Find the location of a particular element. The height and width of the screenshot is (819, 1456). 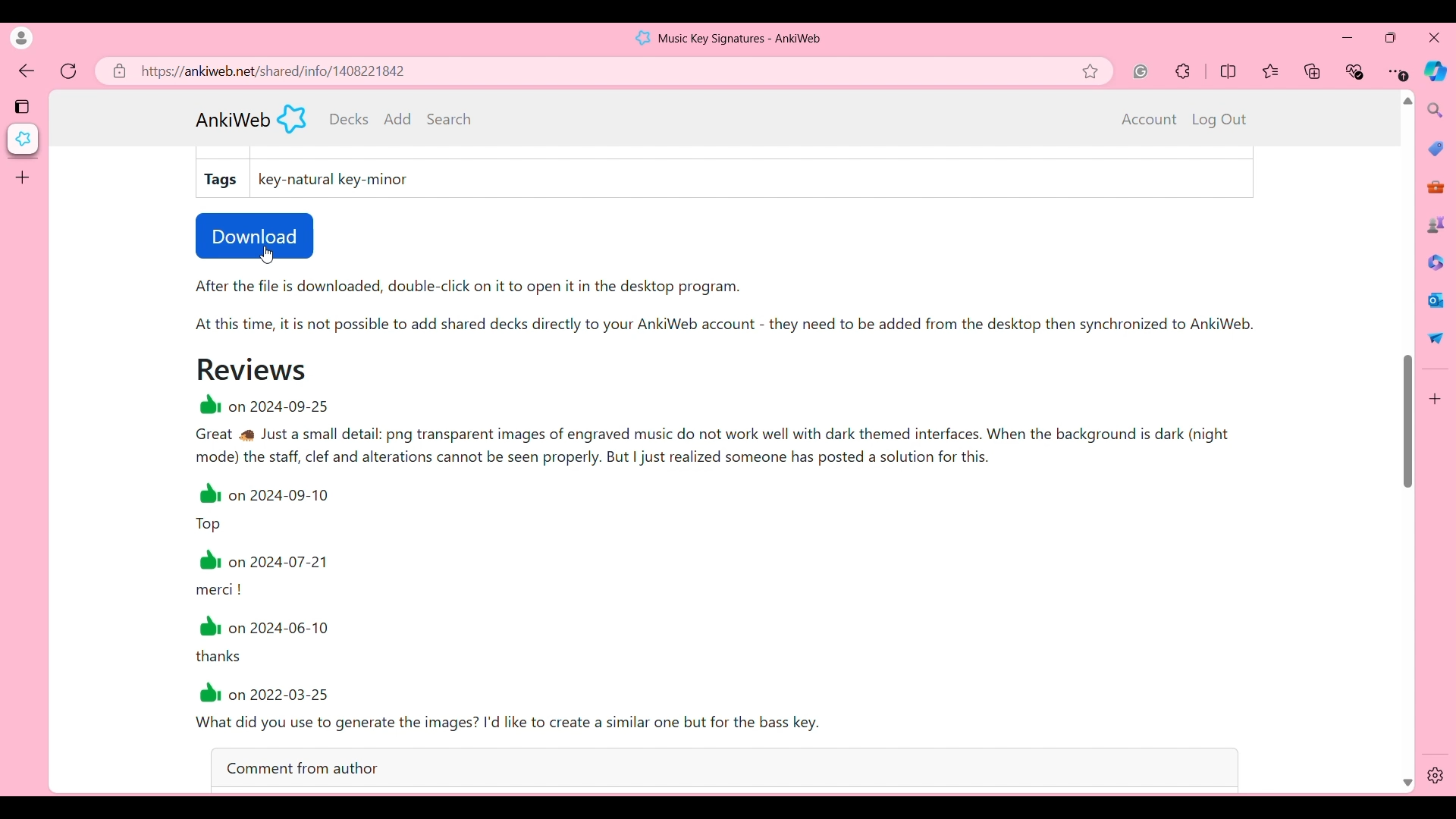

Tags is located at coordinates (222, 180).